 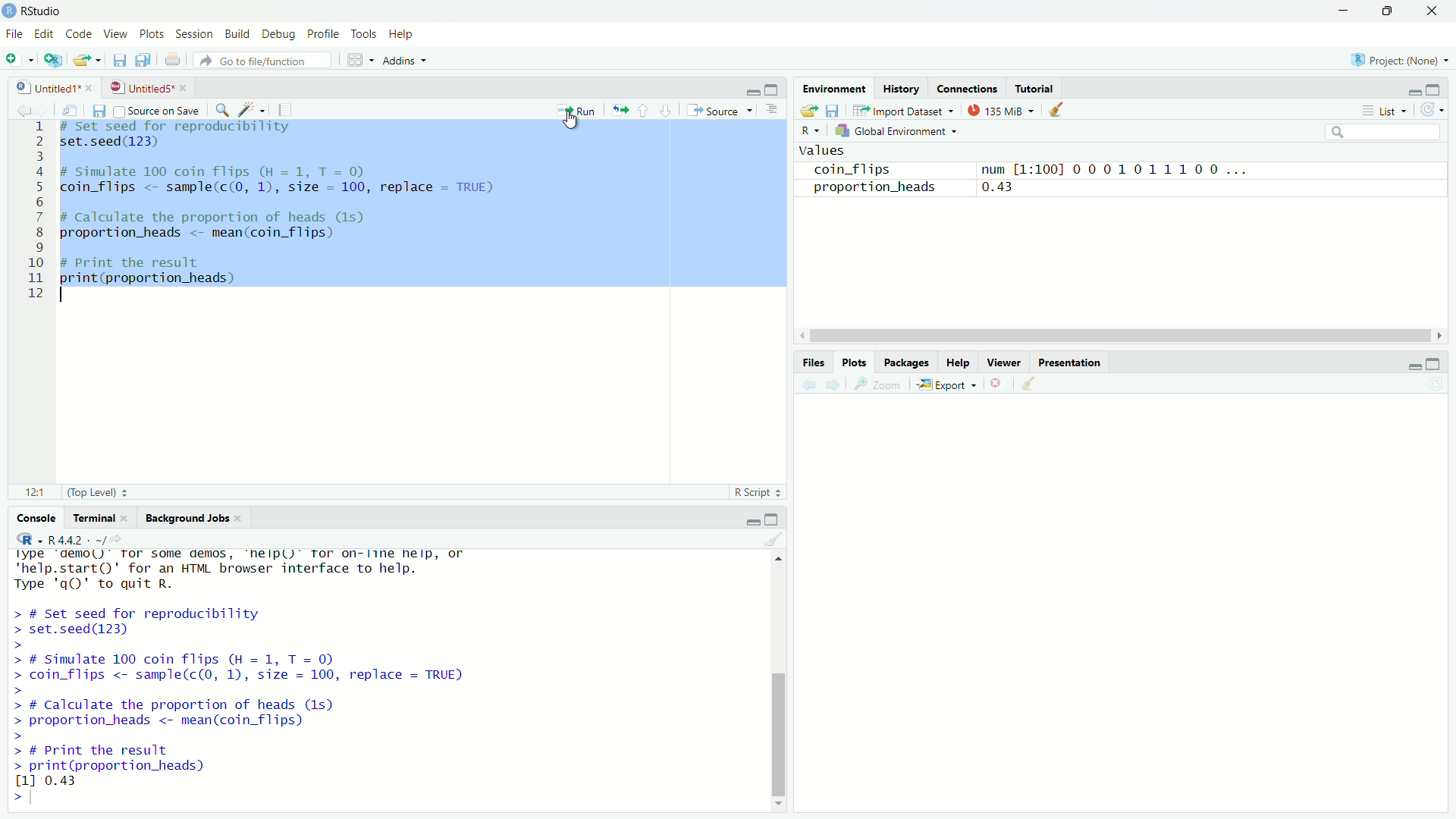 What do you see at coordinates (1109, 334) in the screenshot?
I see `scrollbar` at bounding box center [1109, 334].